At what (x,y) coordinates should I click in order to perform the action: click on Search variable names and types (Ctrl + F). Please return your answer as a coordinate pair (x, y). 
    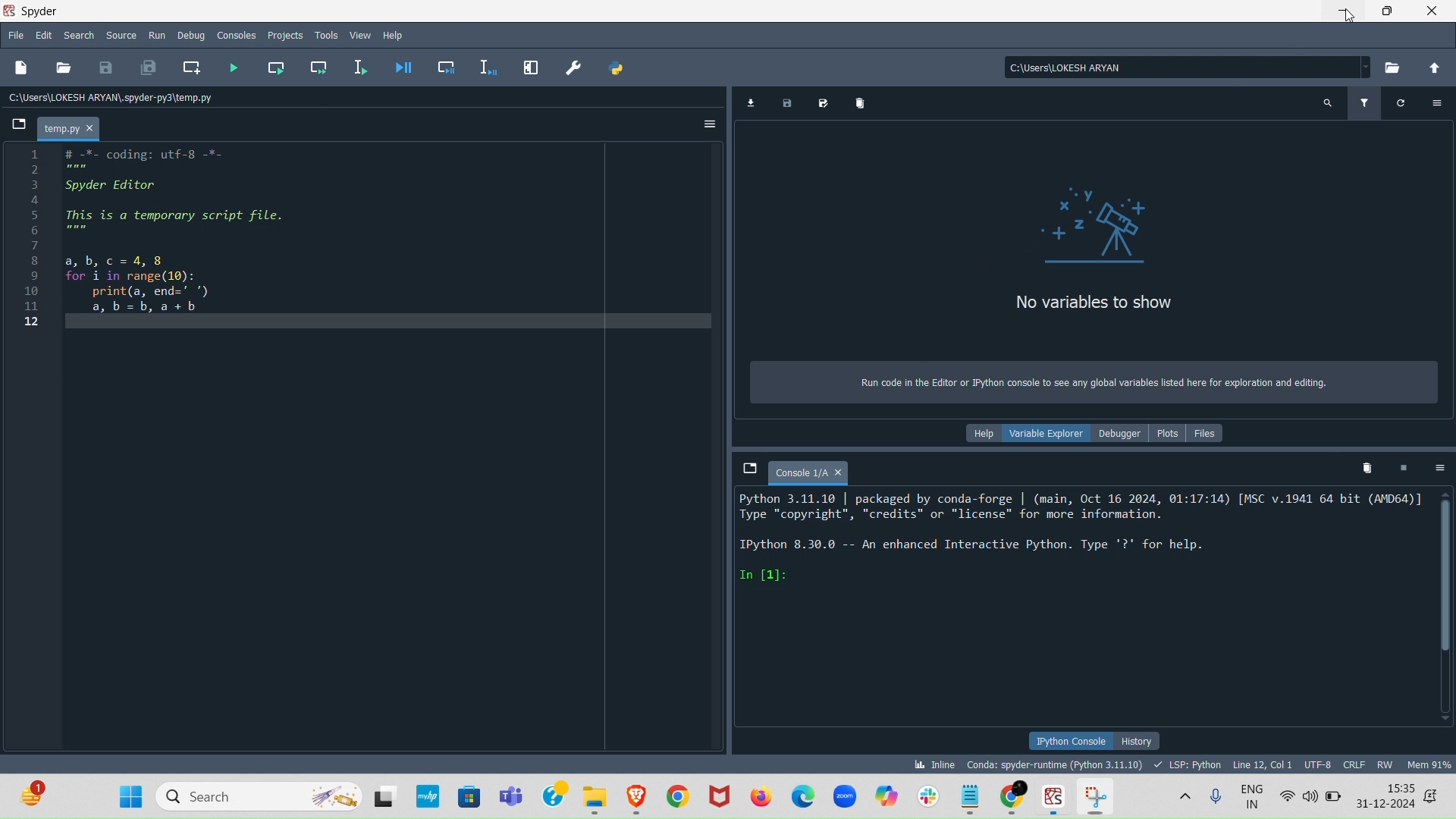
    Looking at the image, I should click on (1326, 106).